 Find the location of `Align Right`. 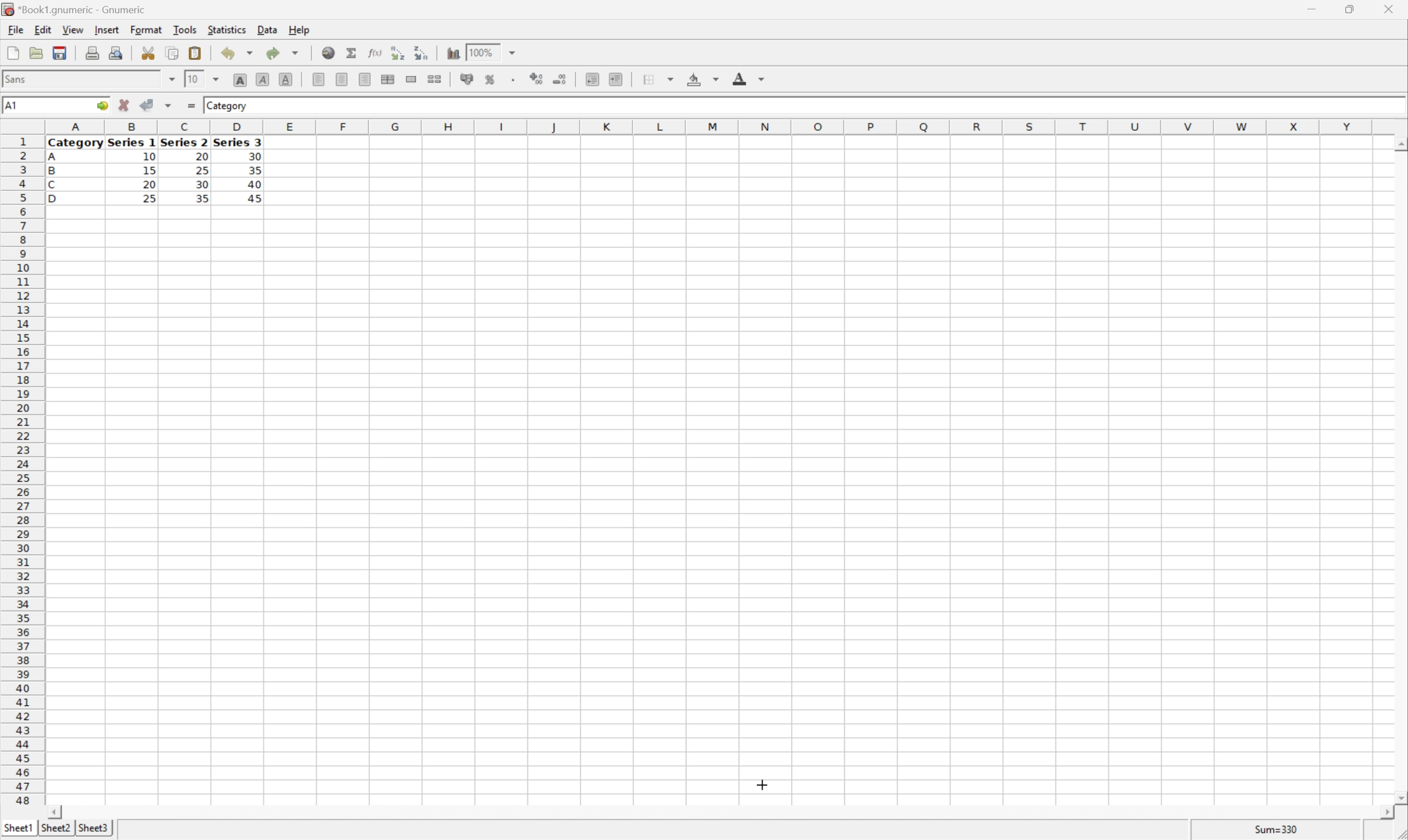

Align Right is located at coordinates (365, 80).